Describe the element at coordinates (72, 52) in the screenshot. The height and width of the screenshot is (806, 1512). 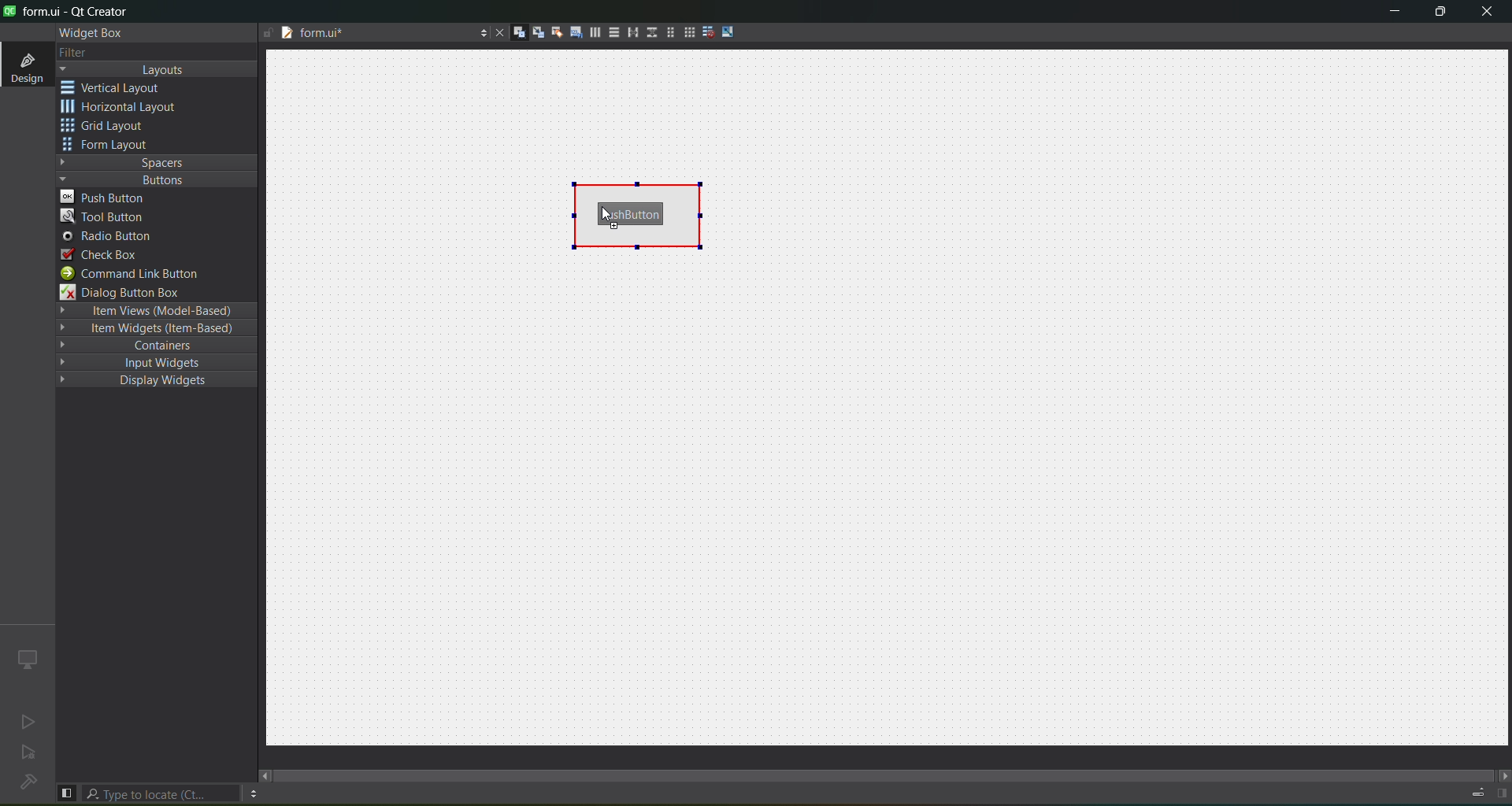
I see `filter` at that location.